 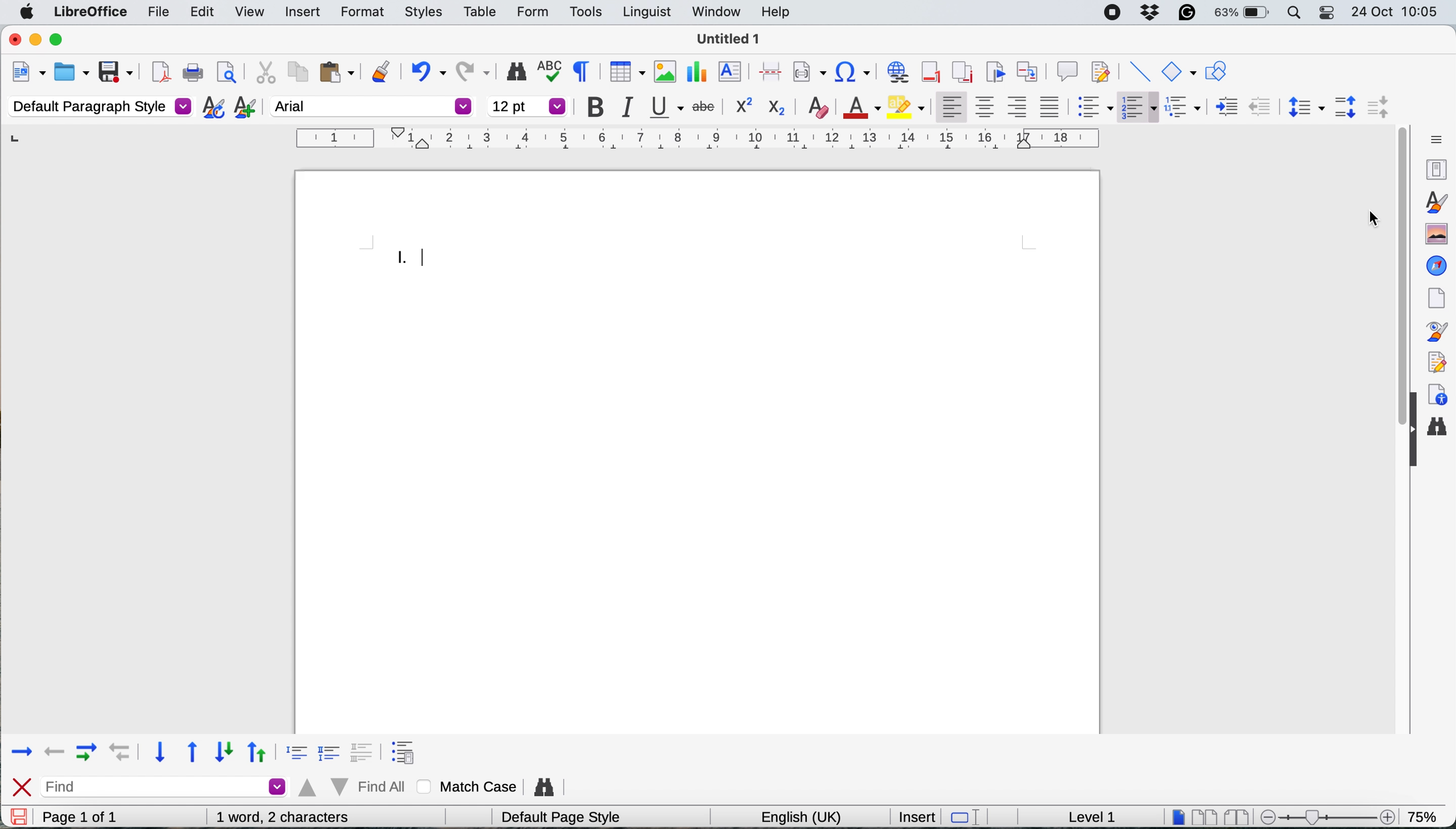 What do you see at coordinates (1331, 813) in the screenshot?
I see `zoom scale` at bounding box center [1331, 813].